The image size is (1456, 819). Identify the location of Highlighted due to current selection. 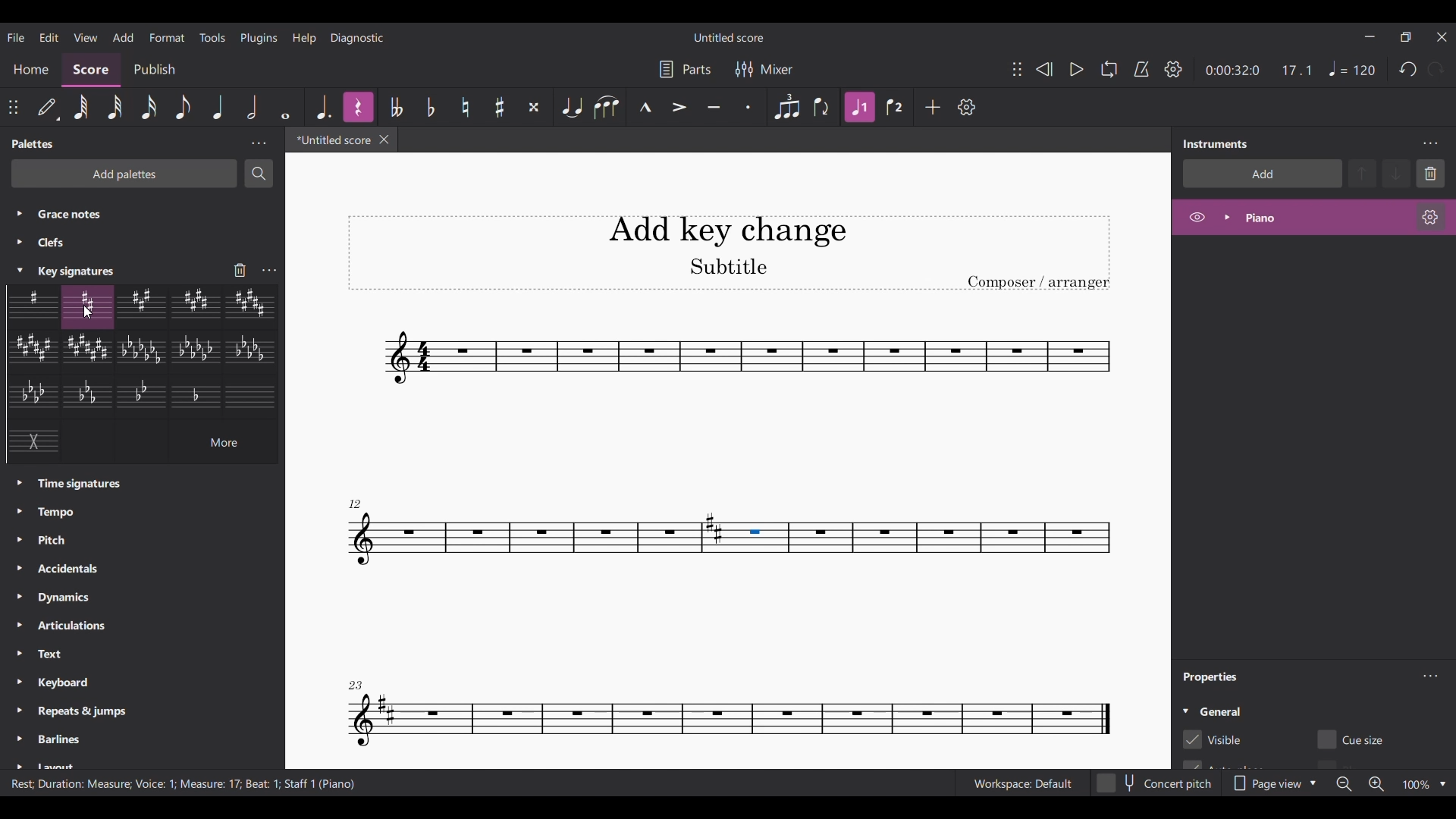
(1313, 218).